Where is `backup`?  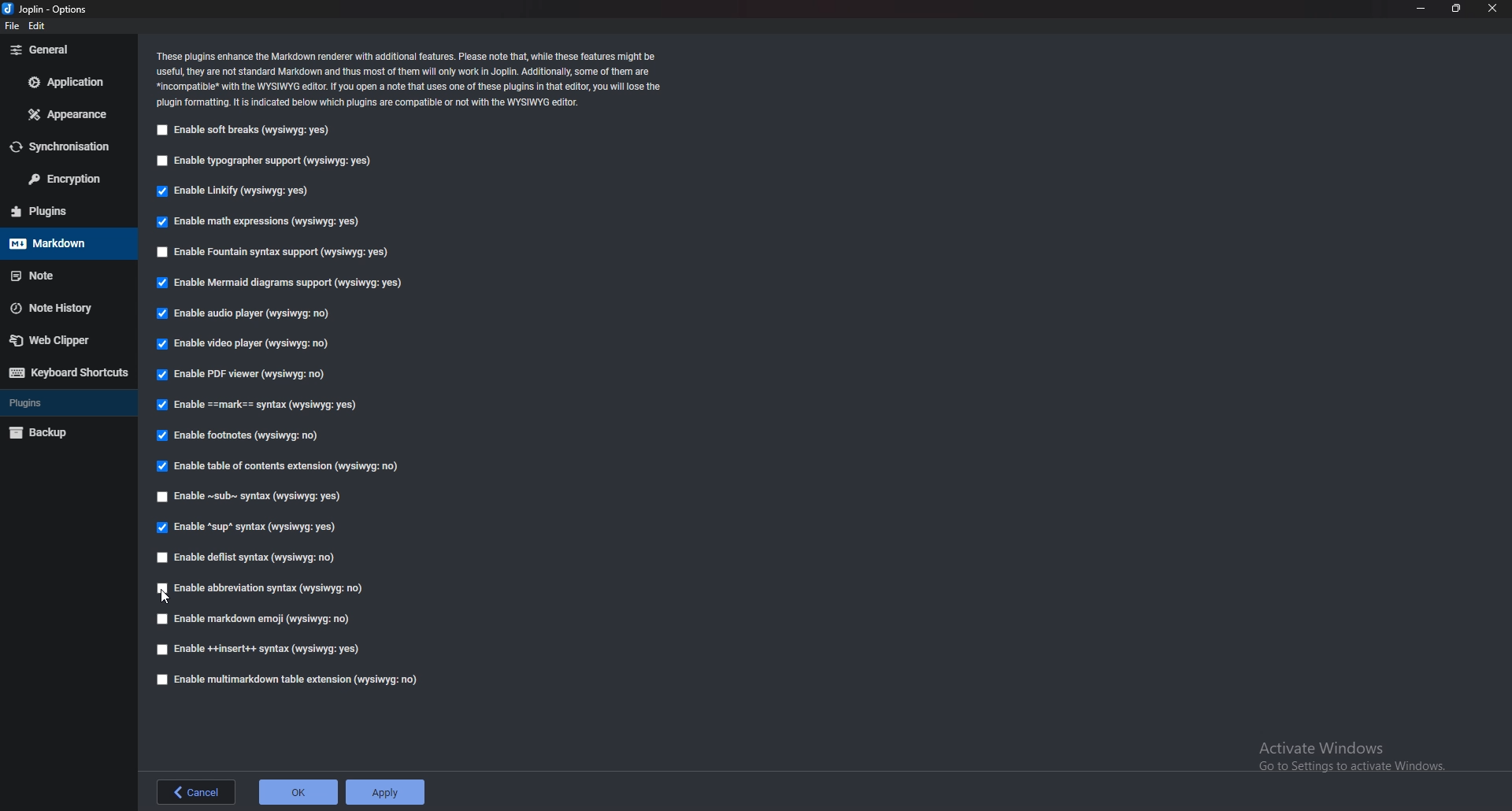
backup is located at coordinates (66, 432).